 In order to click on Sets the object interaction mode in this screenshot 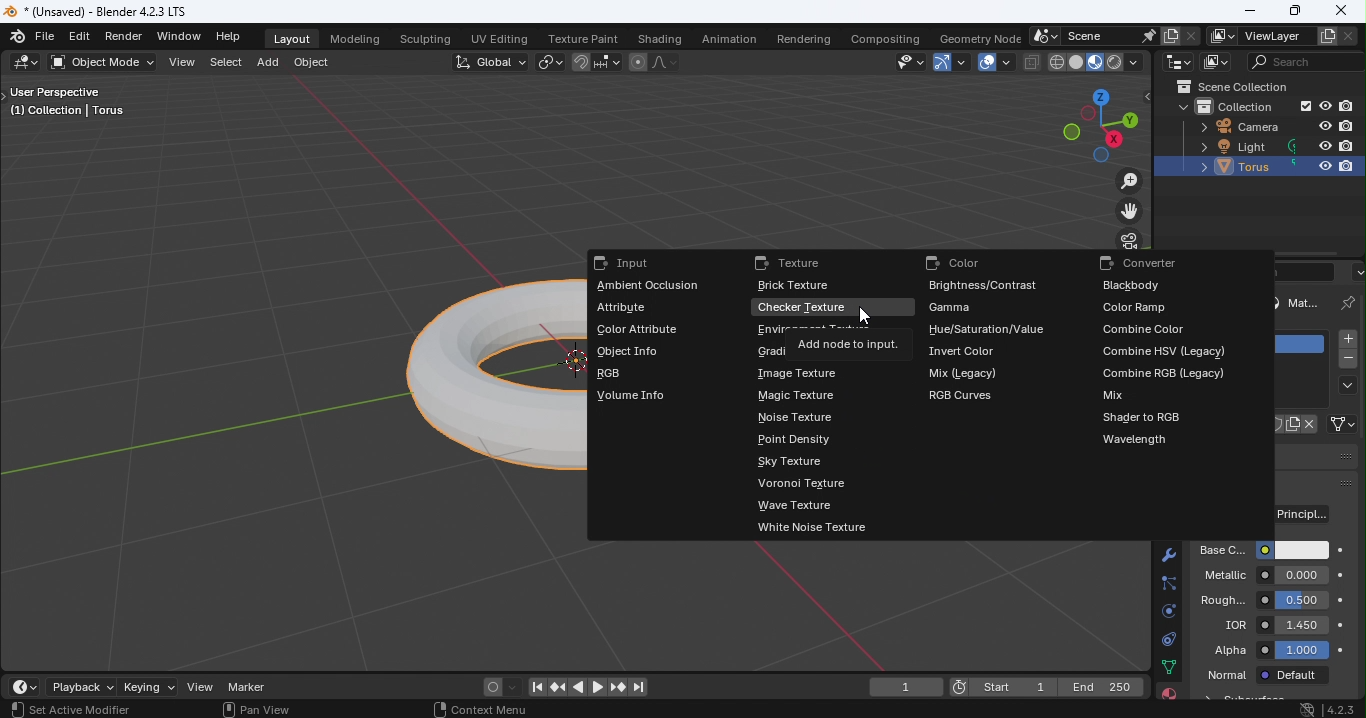, I will do `click(105, 63)`.